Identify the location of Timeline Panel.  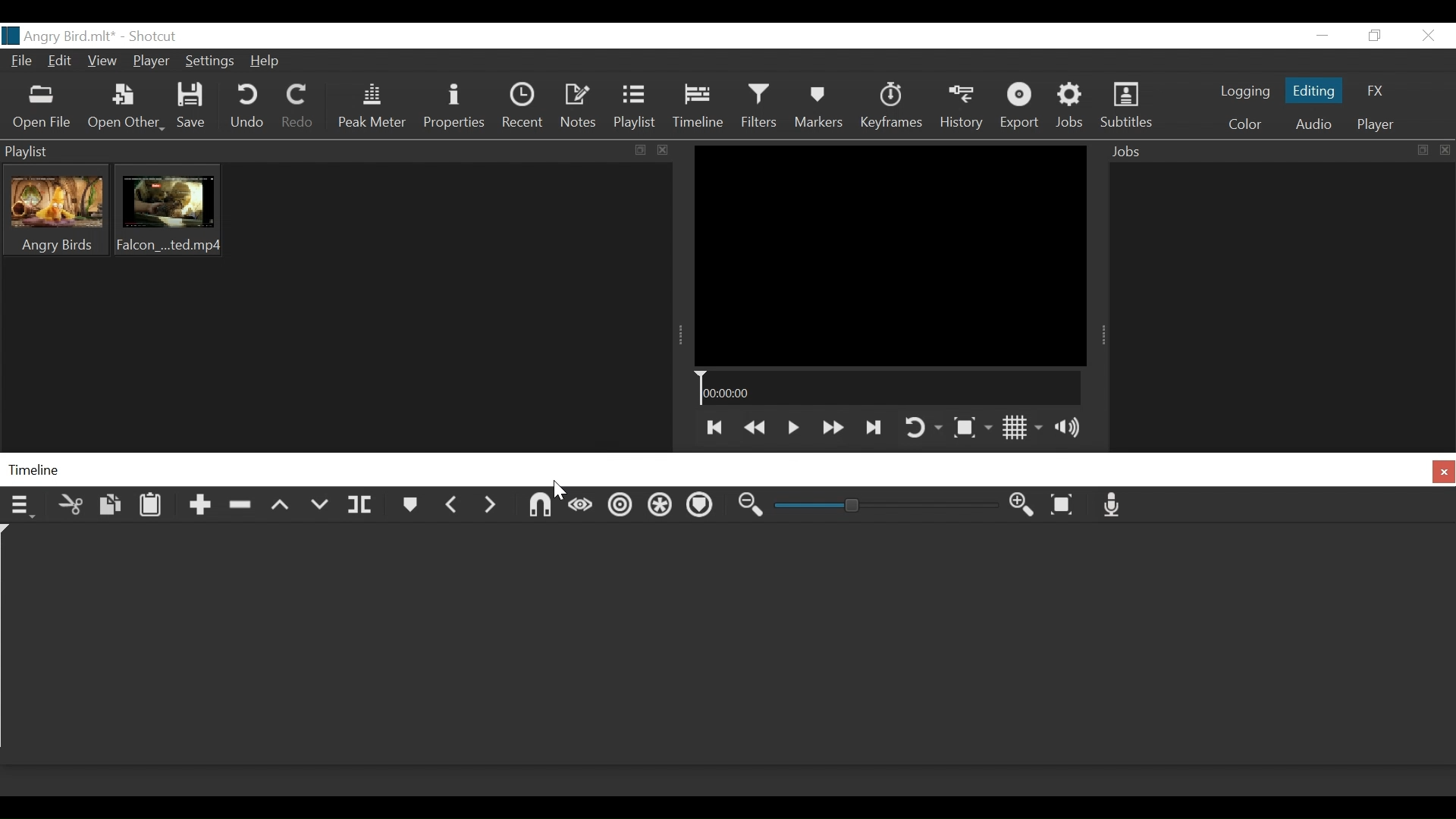
(728, 470).